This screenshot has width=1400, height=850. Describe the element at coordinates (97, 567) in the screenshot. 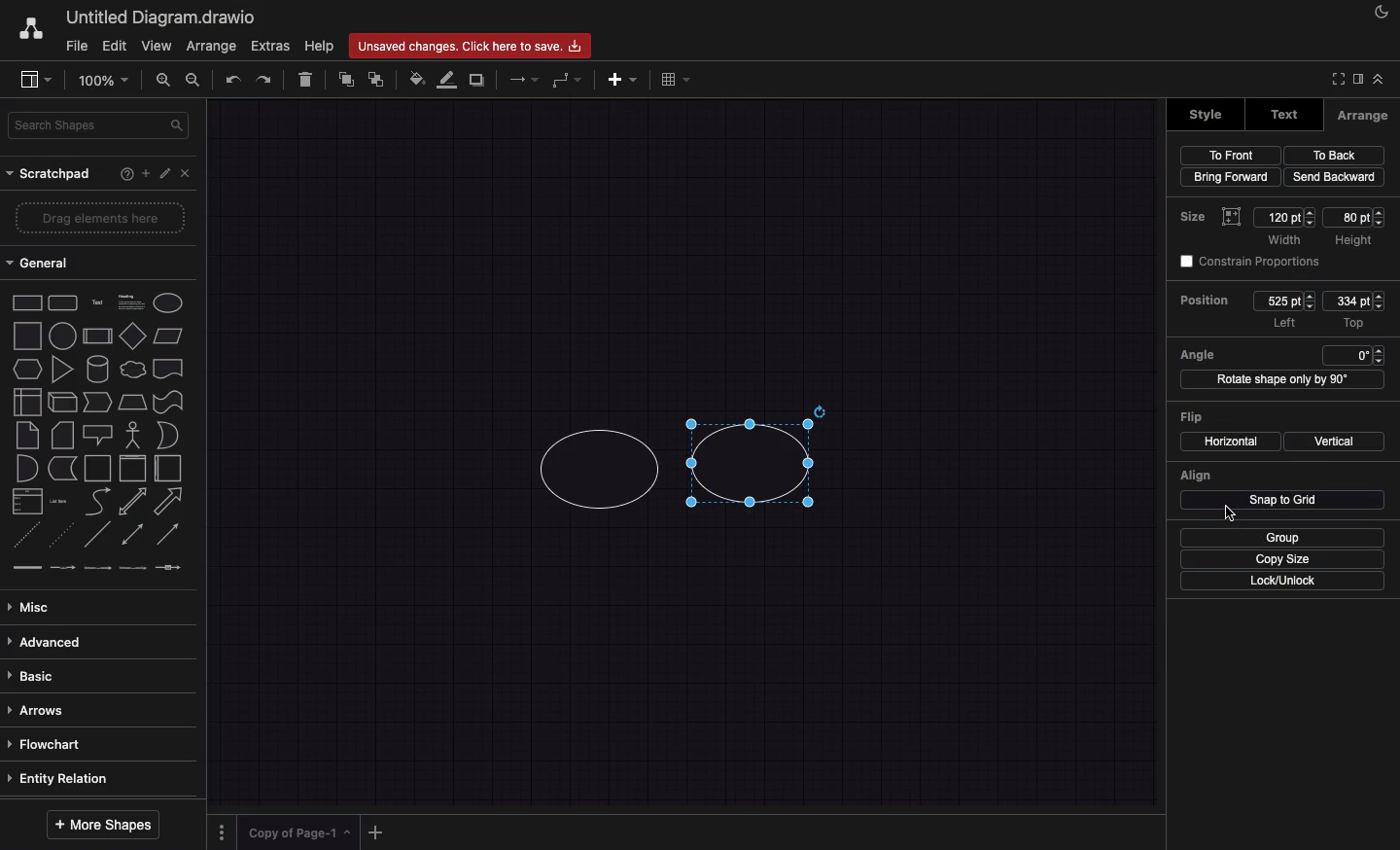

I see `connector with 2 labels` at that location.